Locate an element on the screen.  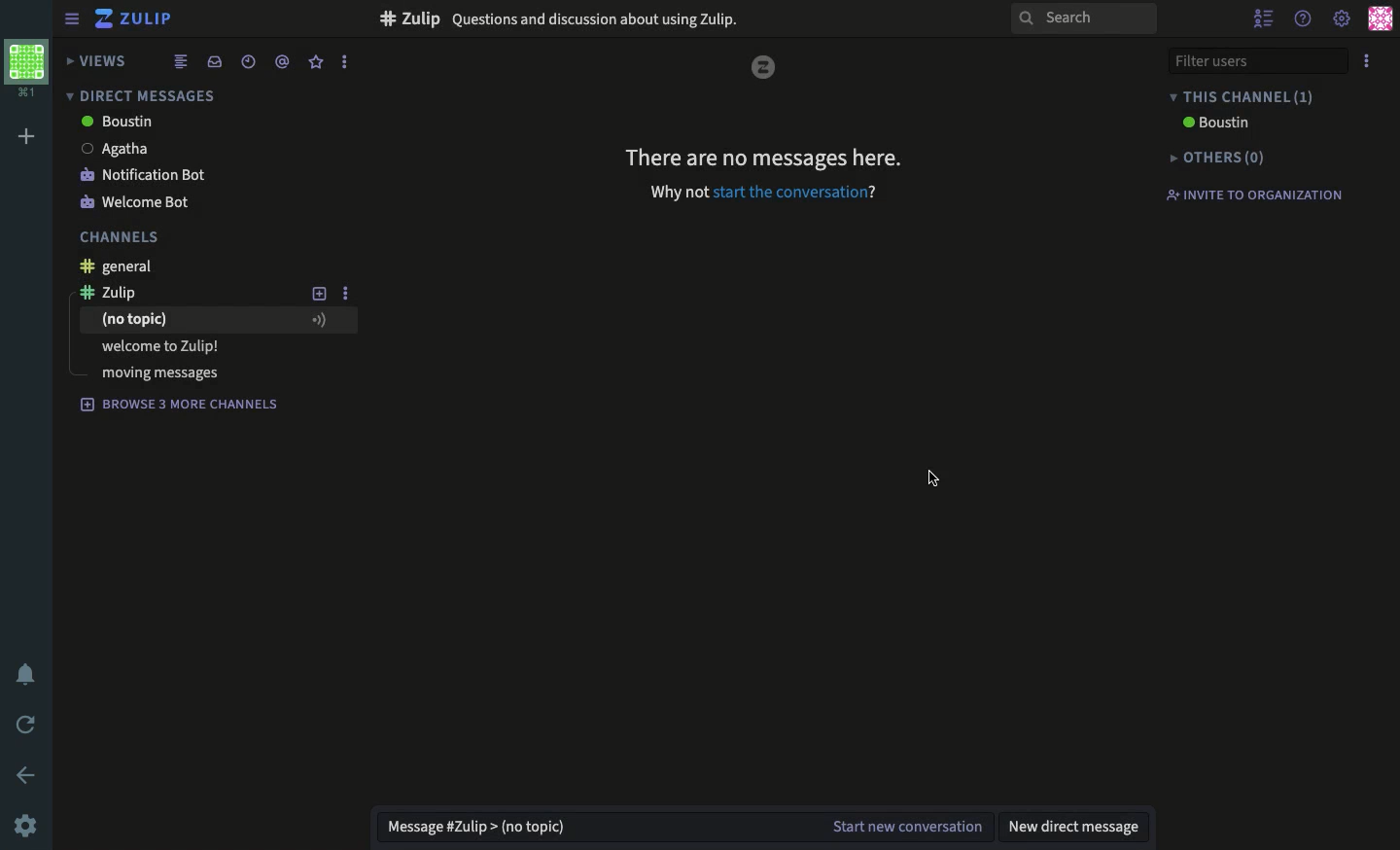
Invite to organization is located at coordinates (1264, 196).